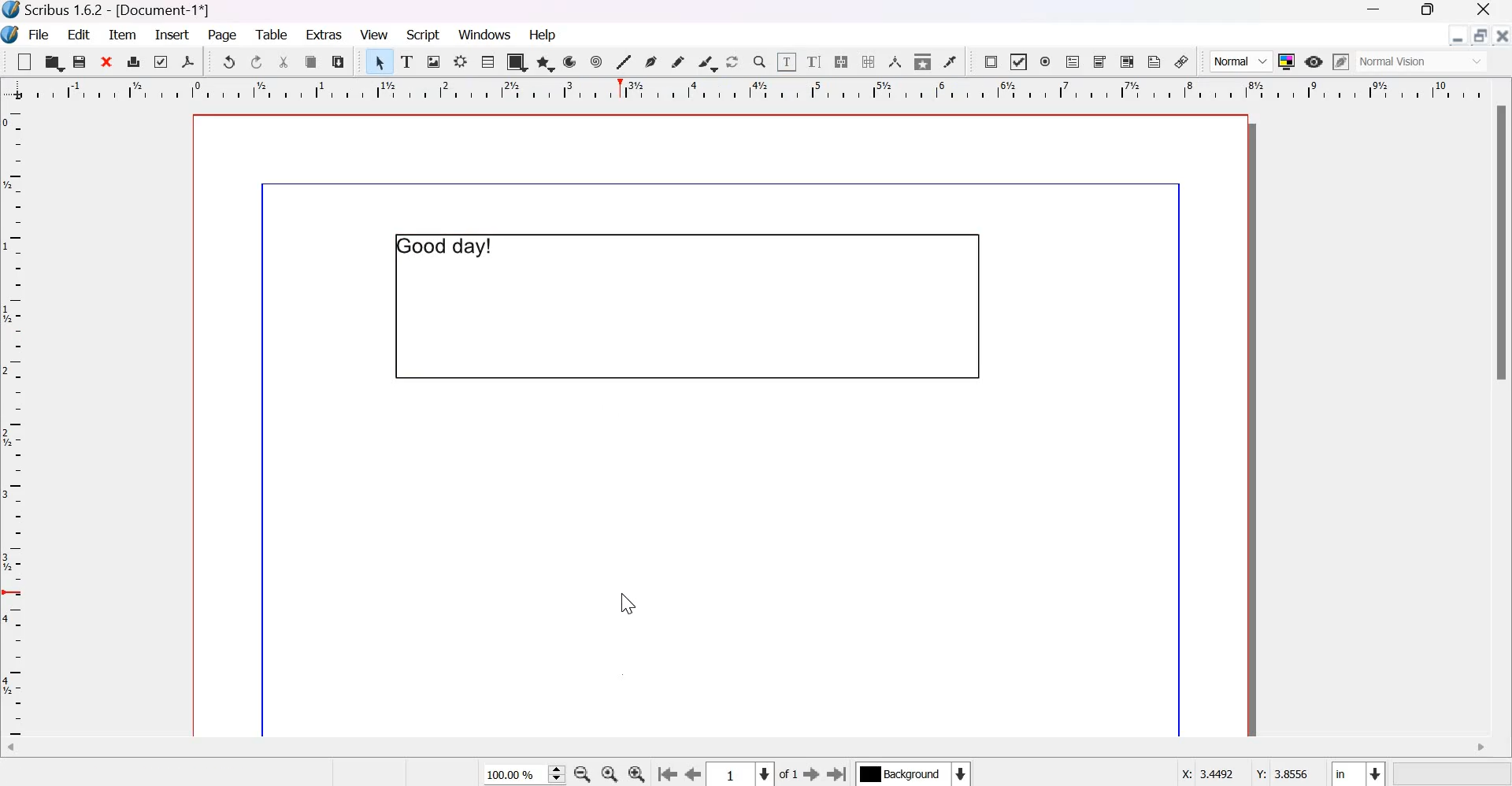  I want to click on undo, so click(228, 61).